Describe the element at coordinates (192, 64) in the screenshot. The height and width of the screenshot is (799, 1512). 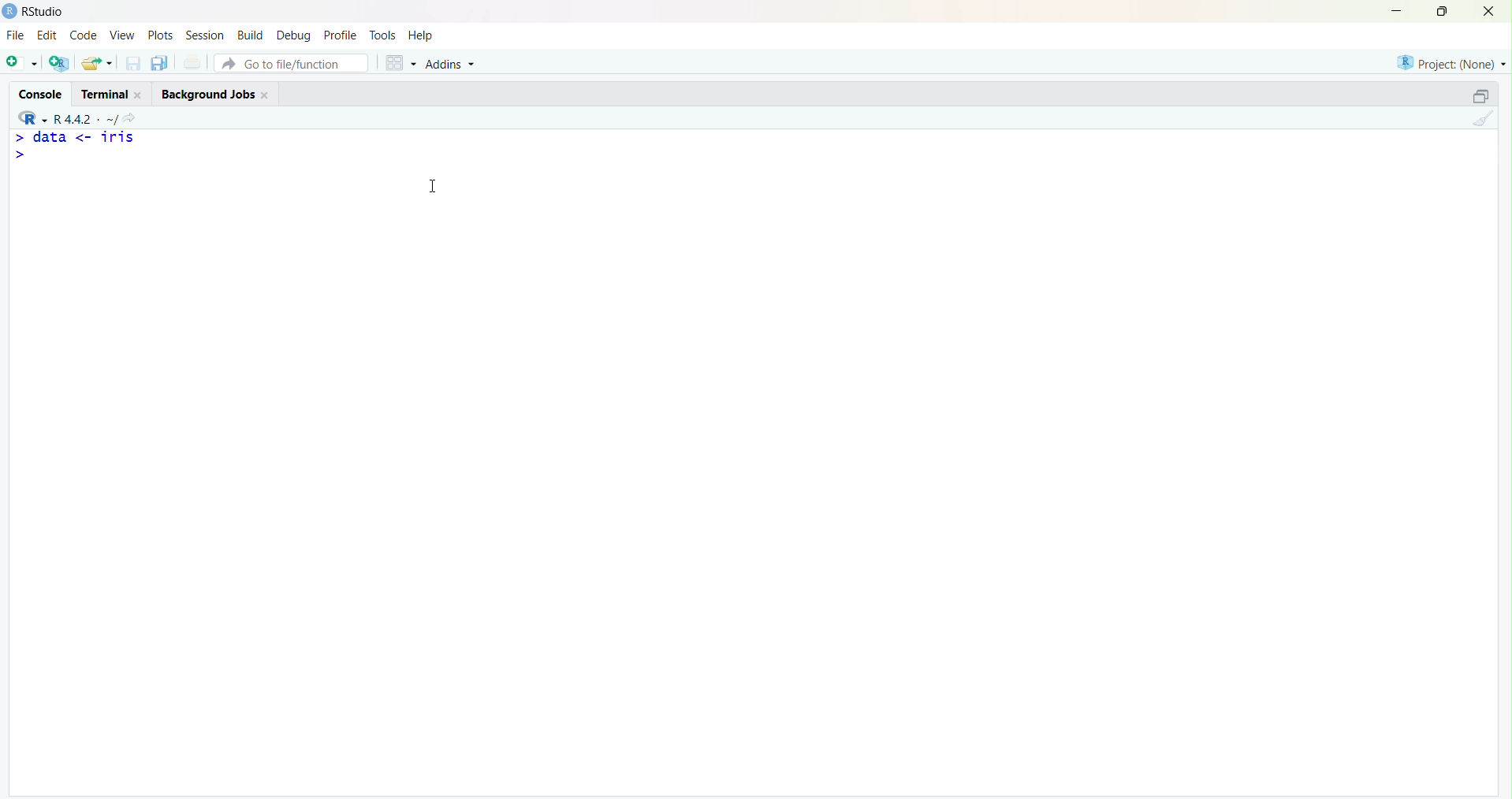
I see `Print the current file` at that location.